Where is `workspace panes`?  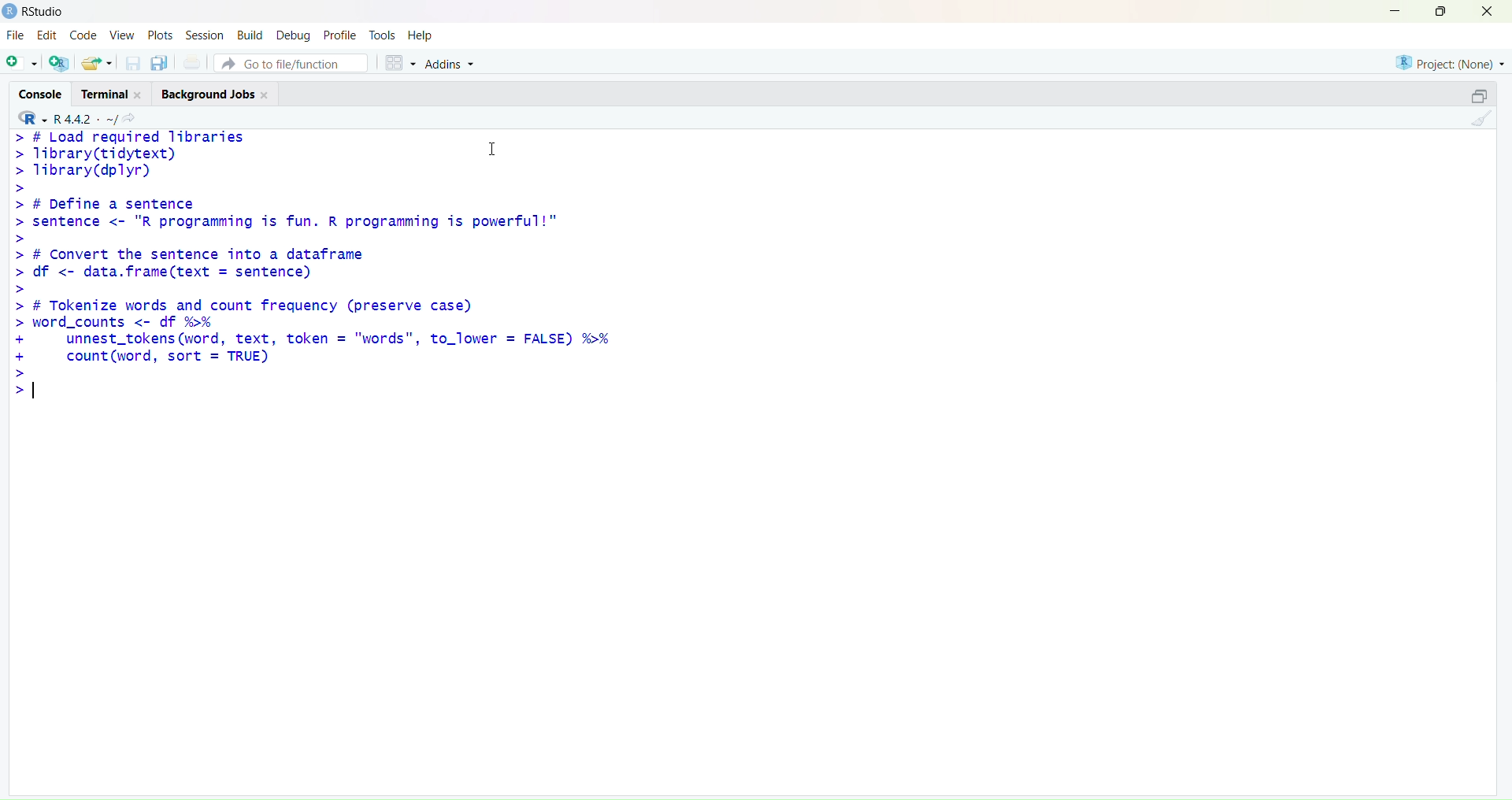 workspace panes is located at coordinates (398, 64).